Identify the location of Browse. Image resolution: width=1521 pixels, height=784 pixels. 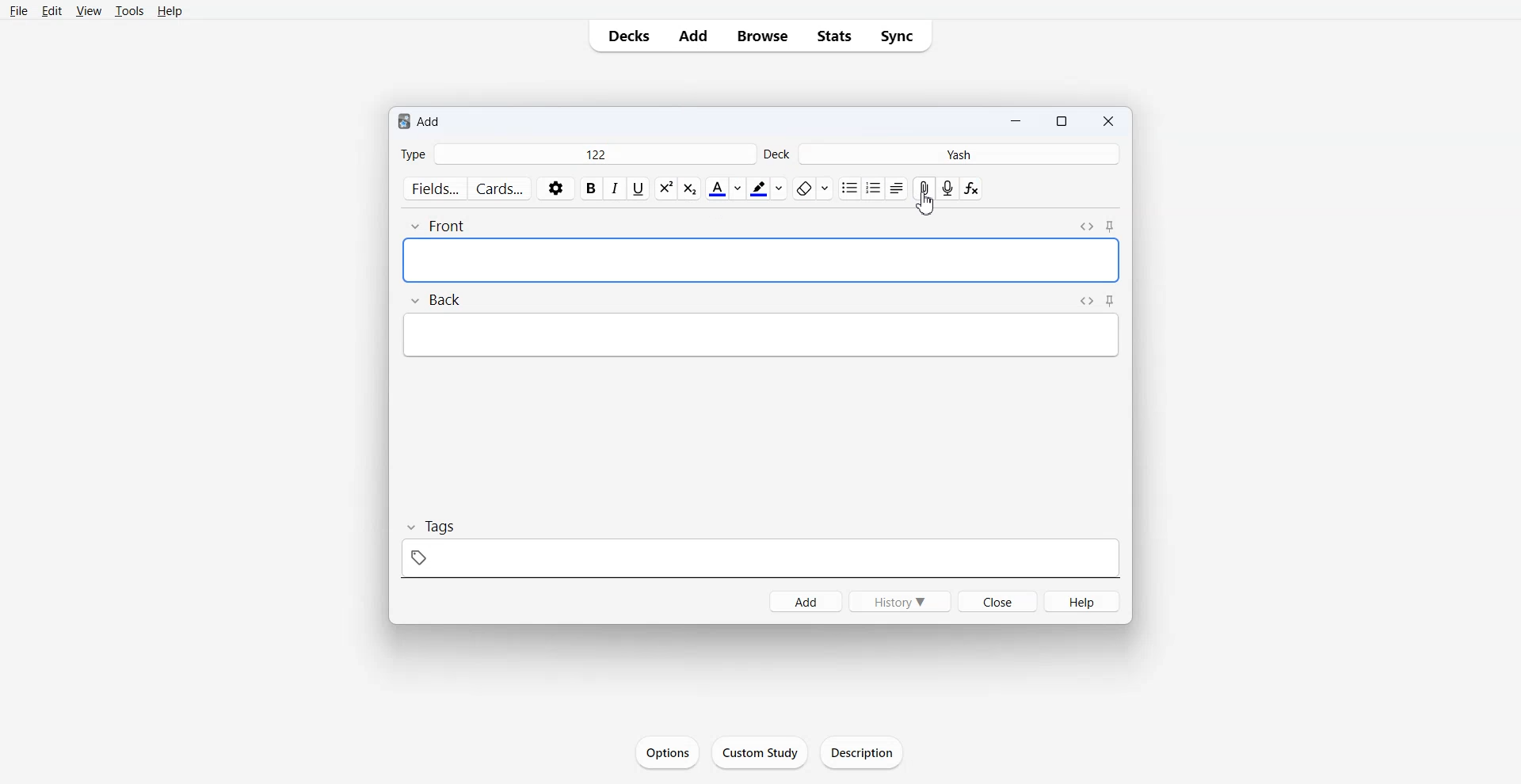
(764, 36).